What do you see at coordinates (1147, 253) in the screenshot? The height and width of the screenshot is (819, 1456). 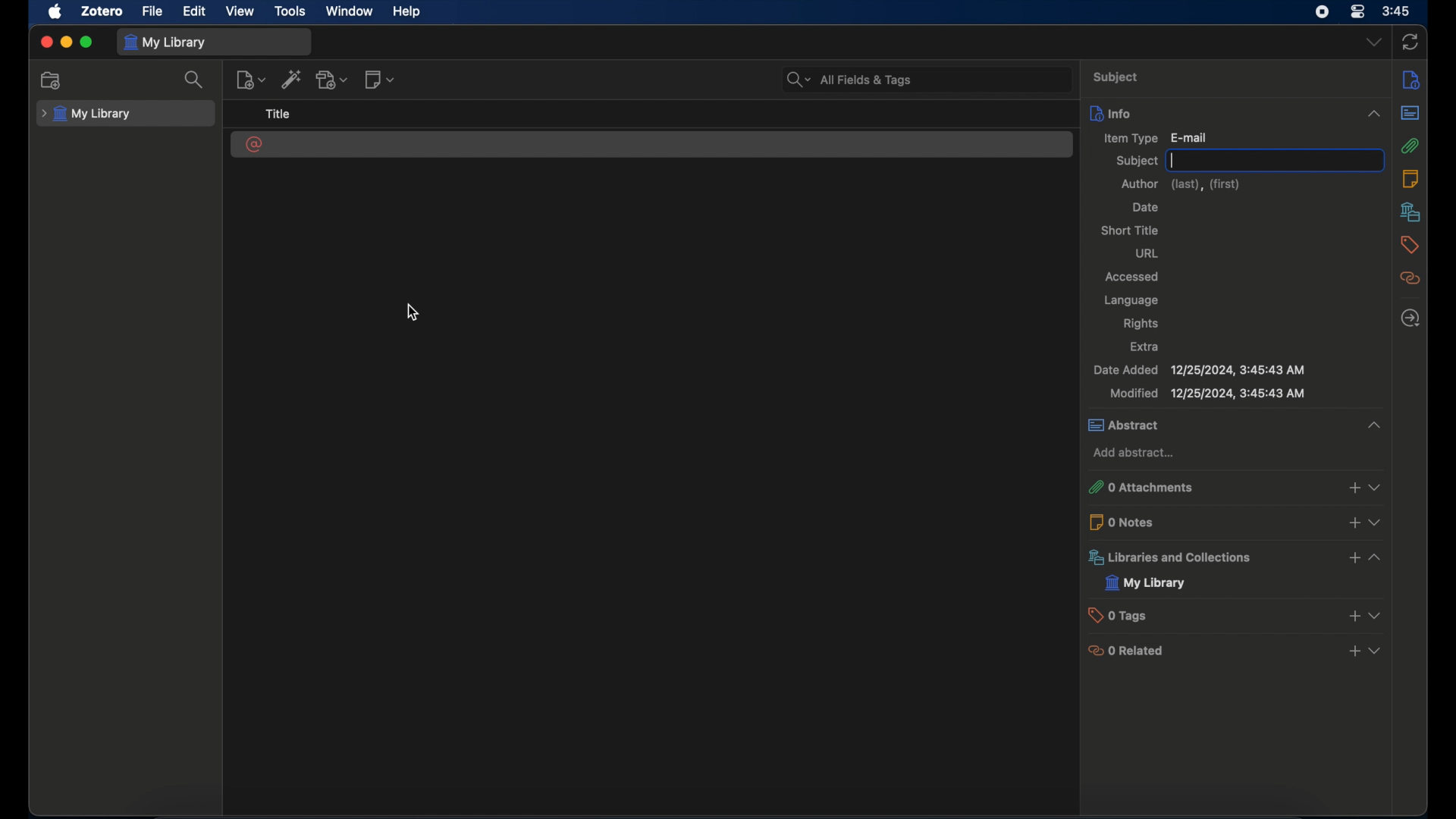 I see `url` at bounding box center [1147, 253].